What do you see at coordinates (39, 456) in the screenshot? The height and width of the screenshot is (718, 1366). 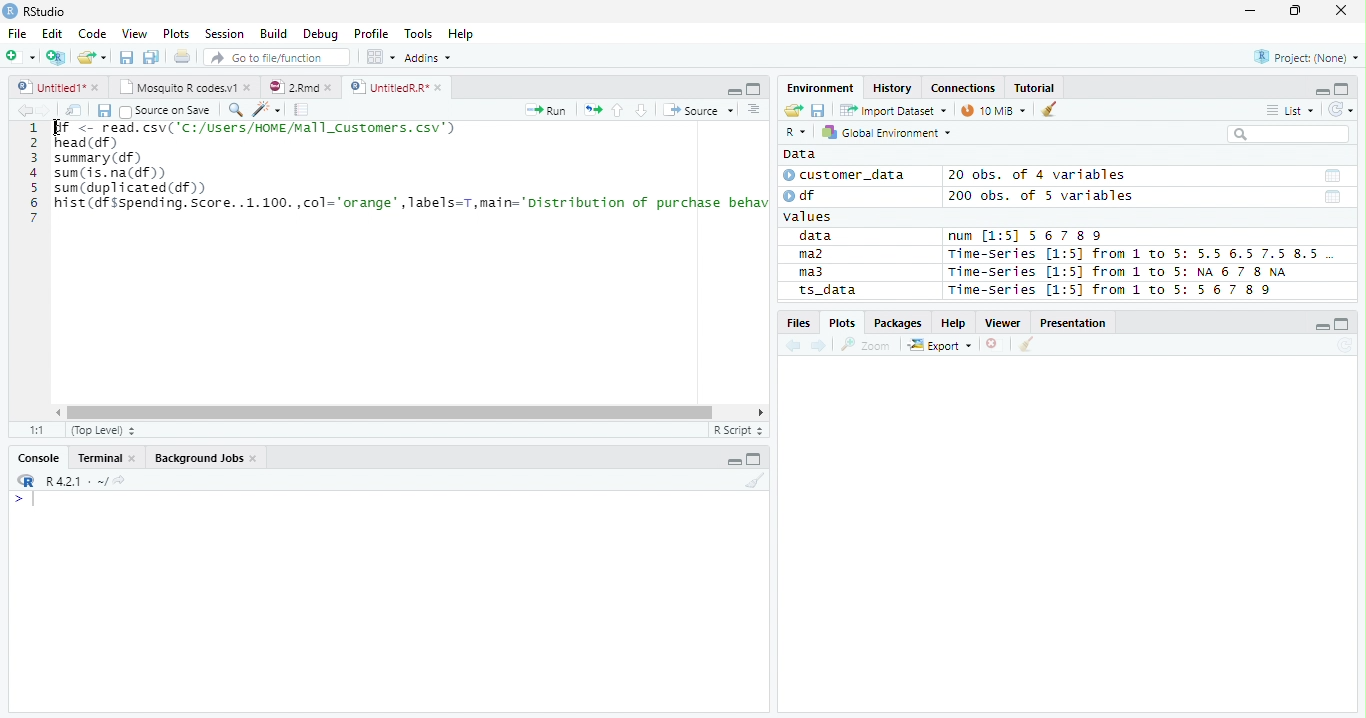 I see `Console` at bounding box center [39, 456].